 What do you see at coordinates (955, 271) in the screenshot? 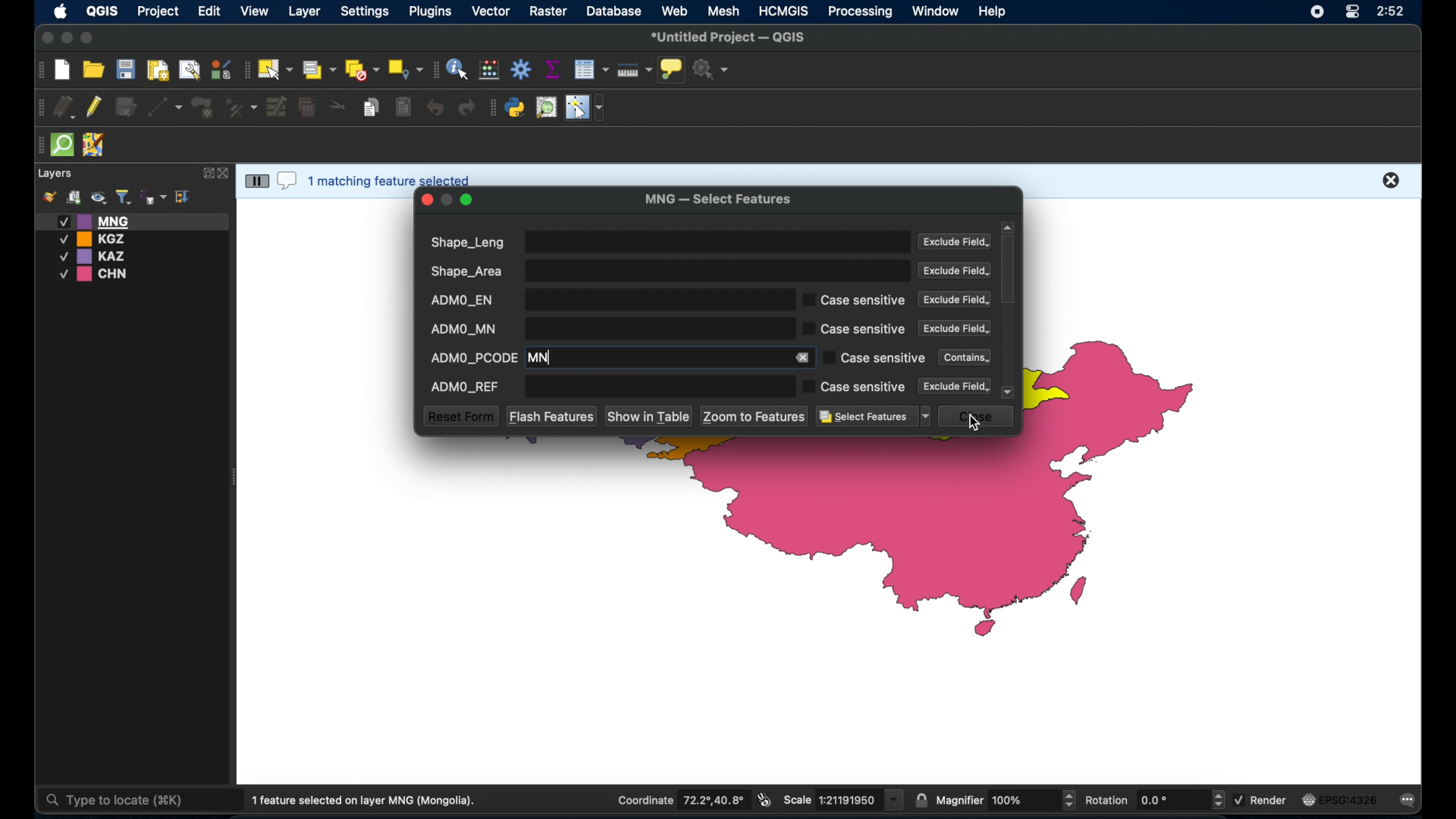
I see `exclude field` at bounding box center [955, 271].